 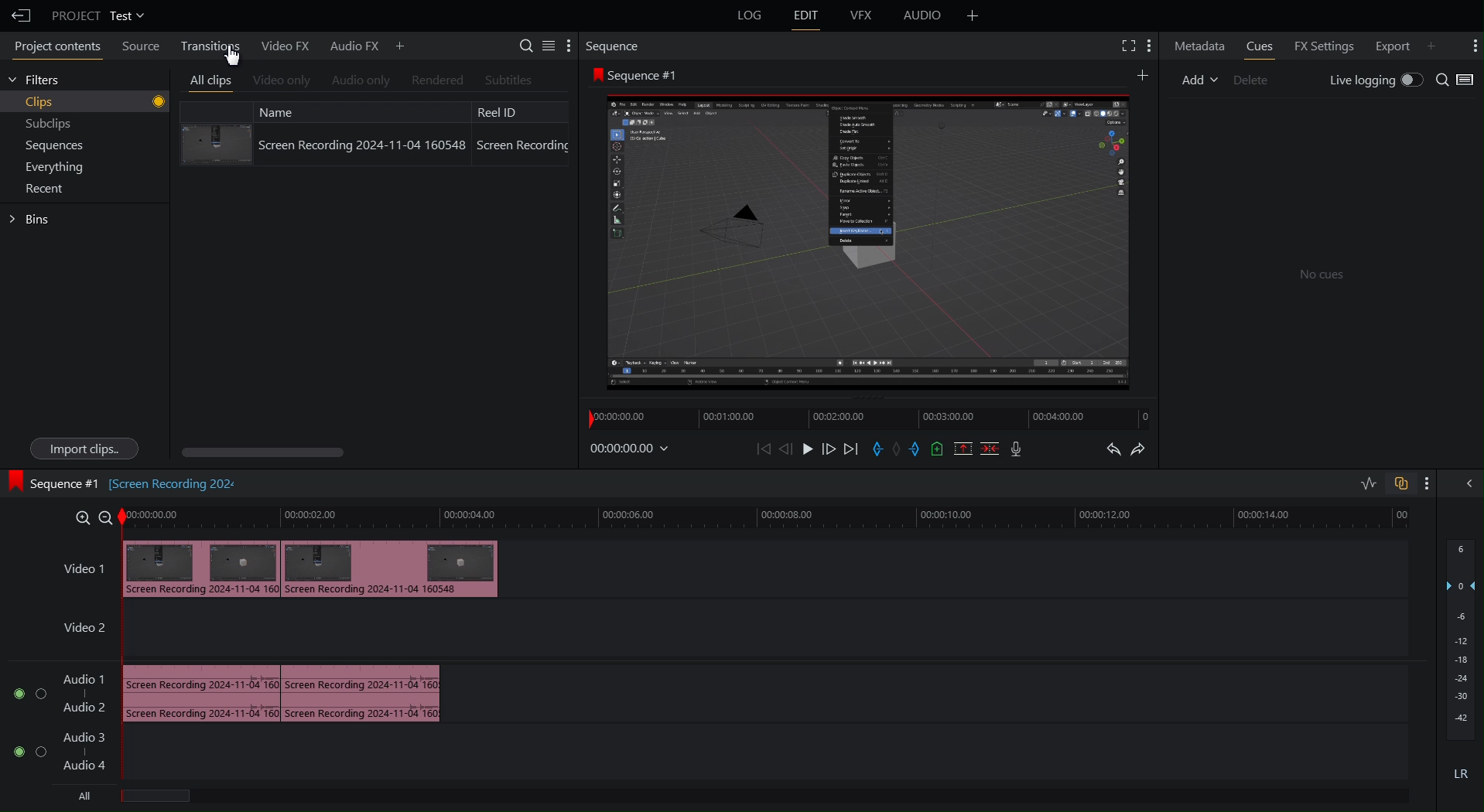 What do you see at coordinates (1259, 45) in the screenshot?
I see `Cues` at bounding box center [1259, 45].